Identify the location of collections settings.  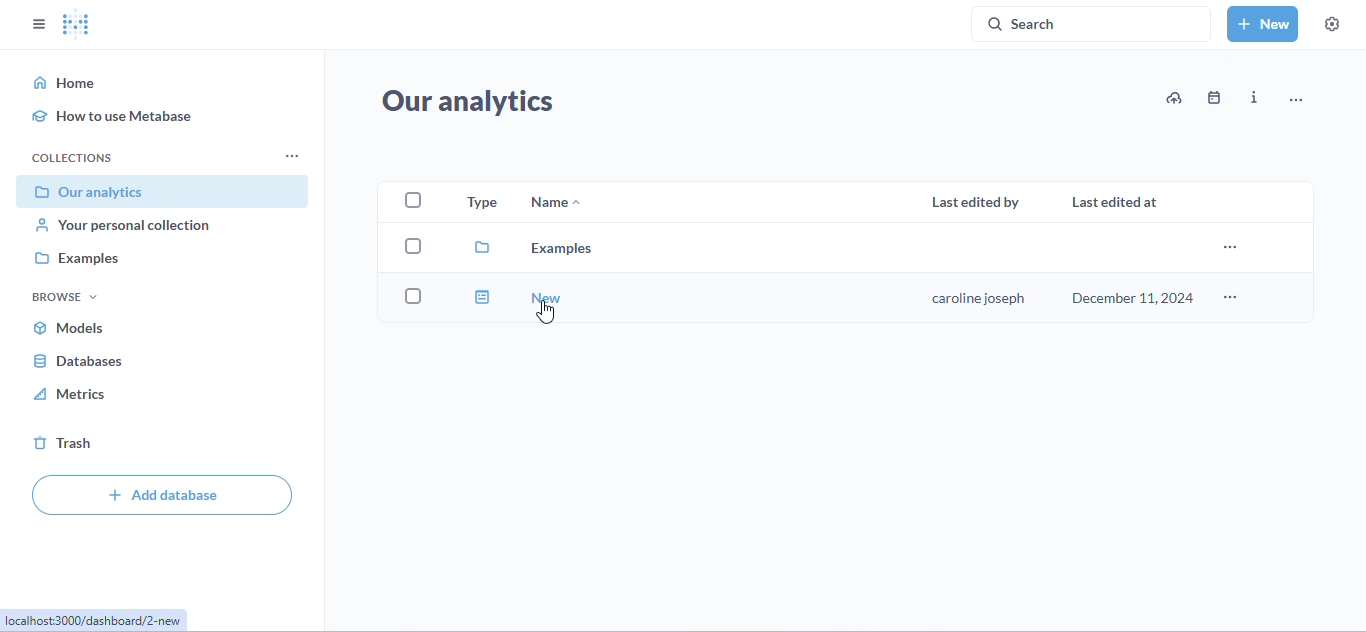
(292, 157).